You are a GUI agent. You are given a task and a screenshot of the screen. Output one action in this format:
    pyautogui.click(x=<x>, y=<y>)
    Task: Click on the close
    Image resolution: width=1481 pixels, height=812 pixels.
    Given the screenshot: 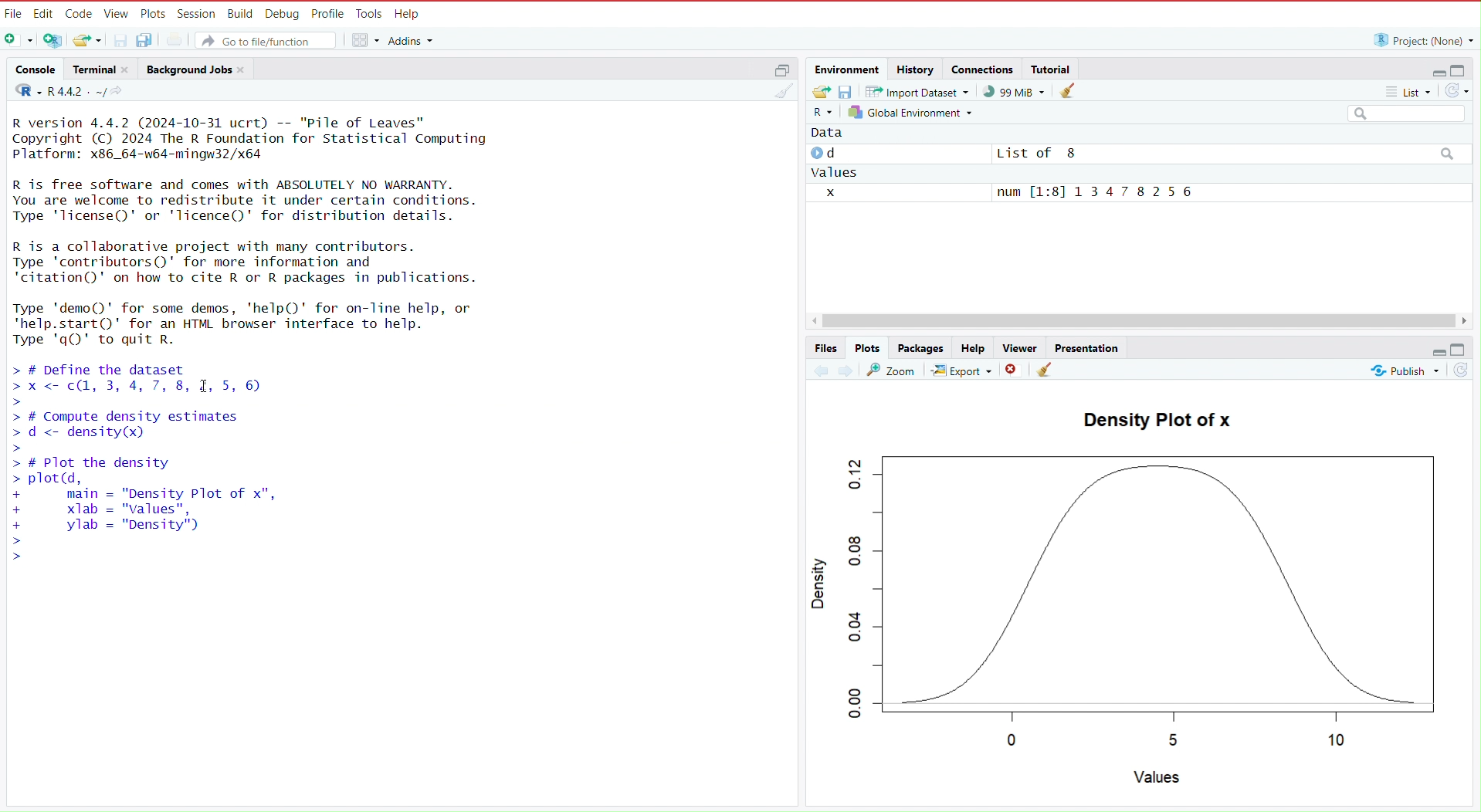 What is the action you would take?
    pyautogui.click(x=245, y=69)
    